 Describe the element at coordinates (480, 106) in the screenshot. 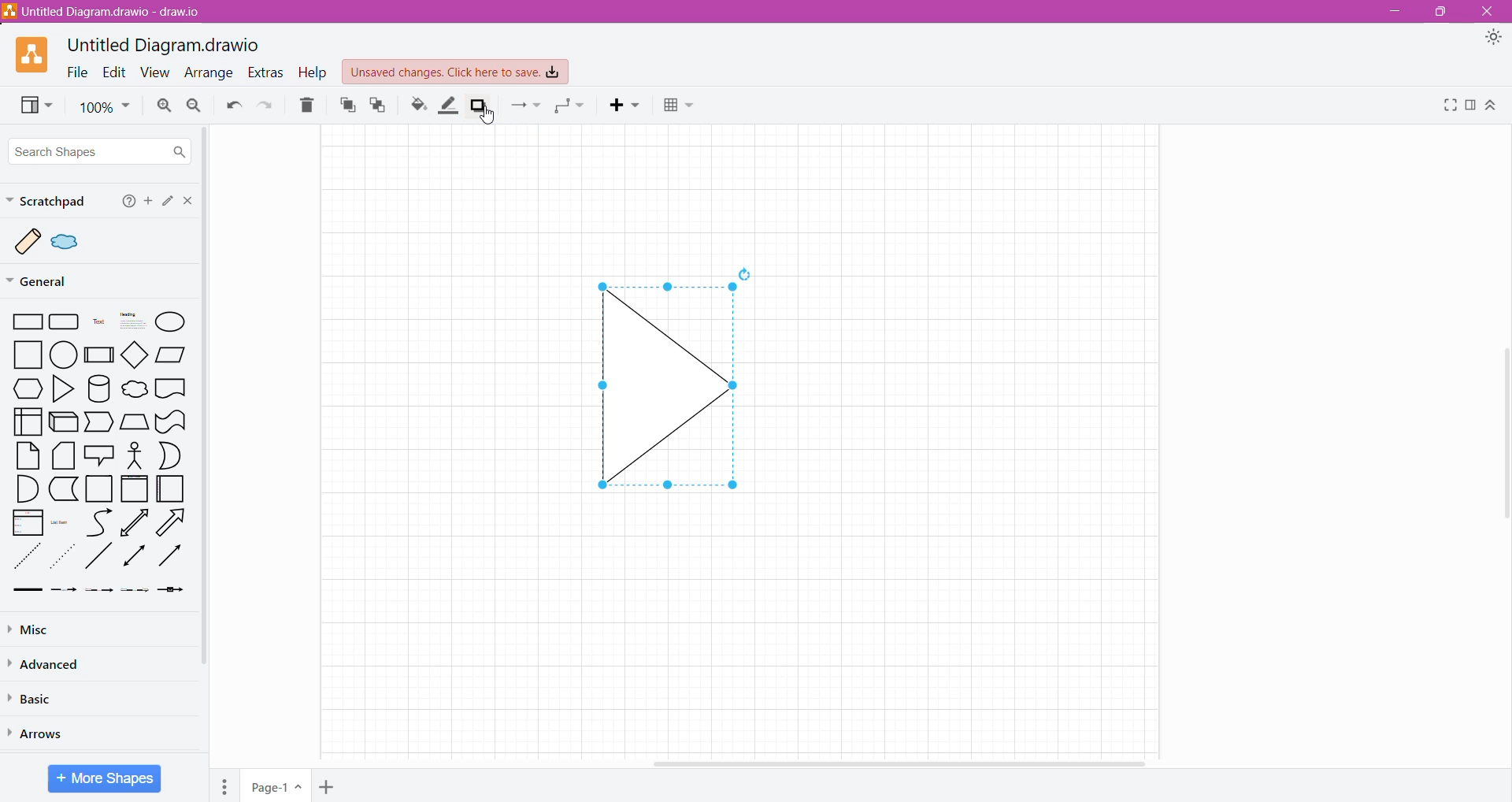

I see `Shadow` at that location.